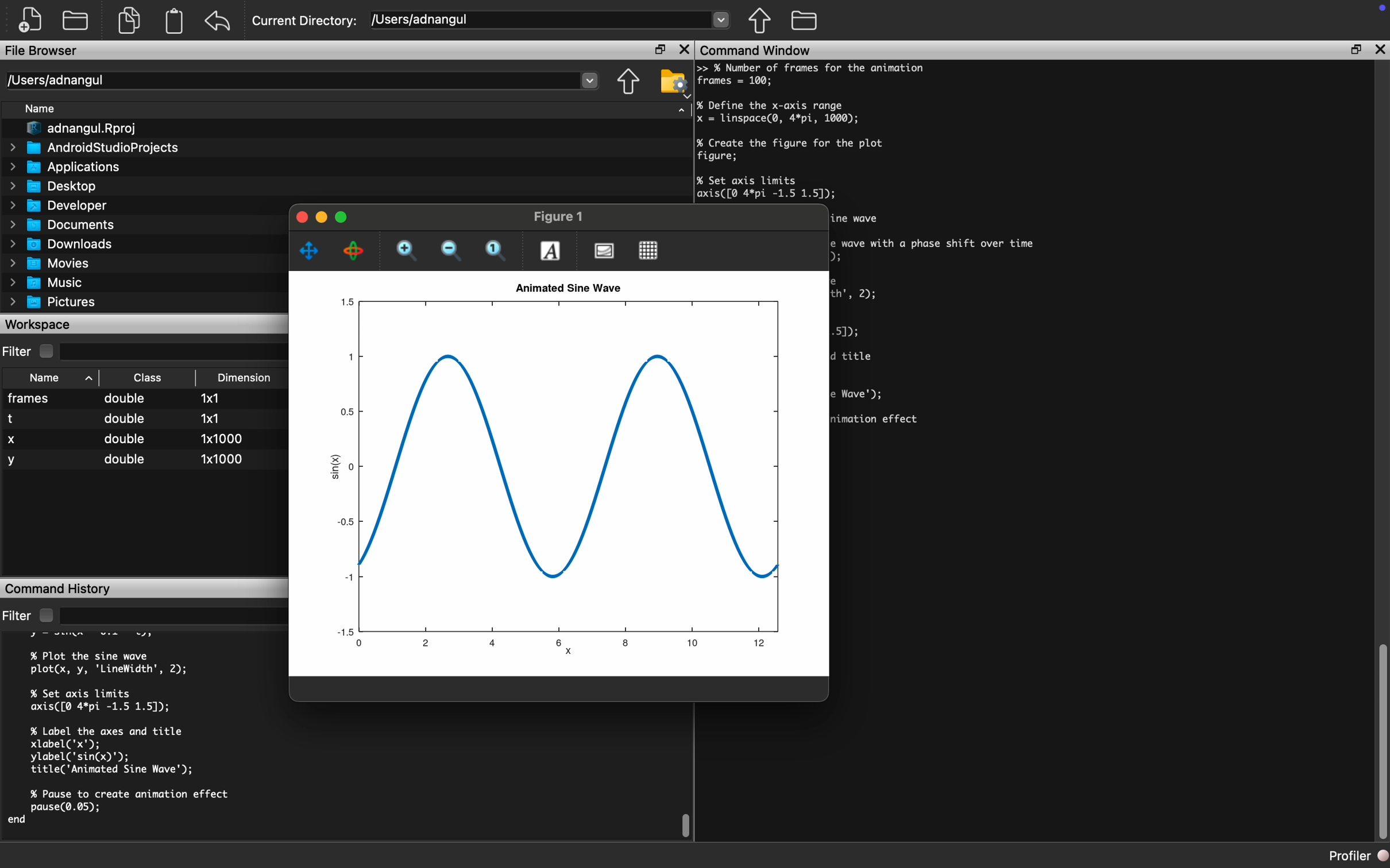 The width and height of the screenshot is (1390, 868). What do you see at coordinates (758, 49) in the screenshot?
I see `Command Window` at bounding box center [758, 49].